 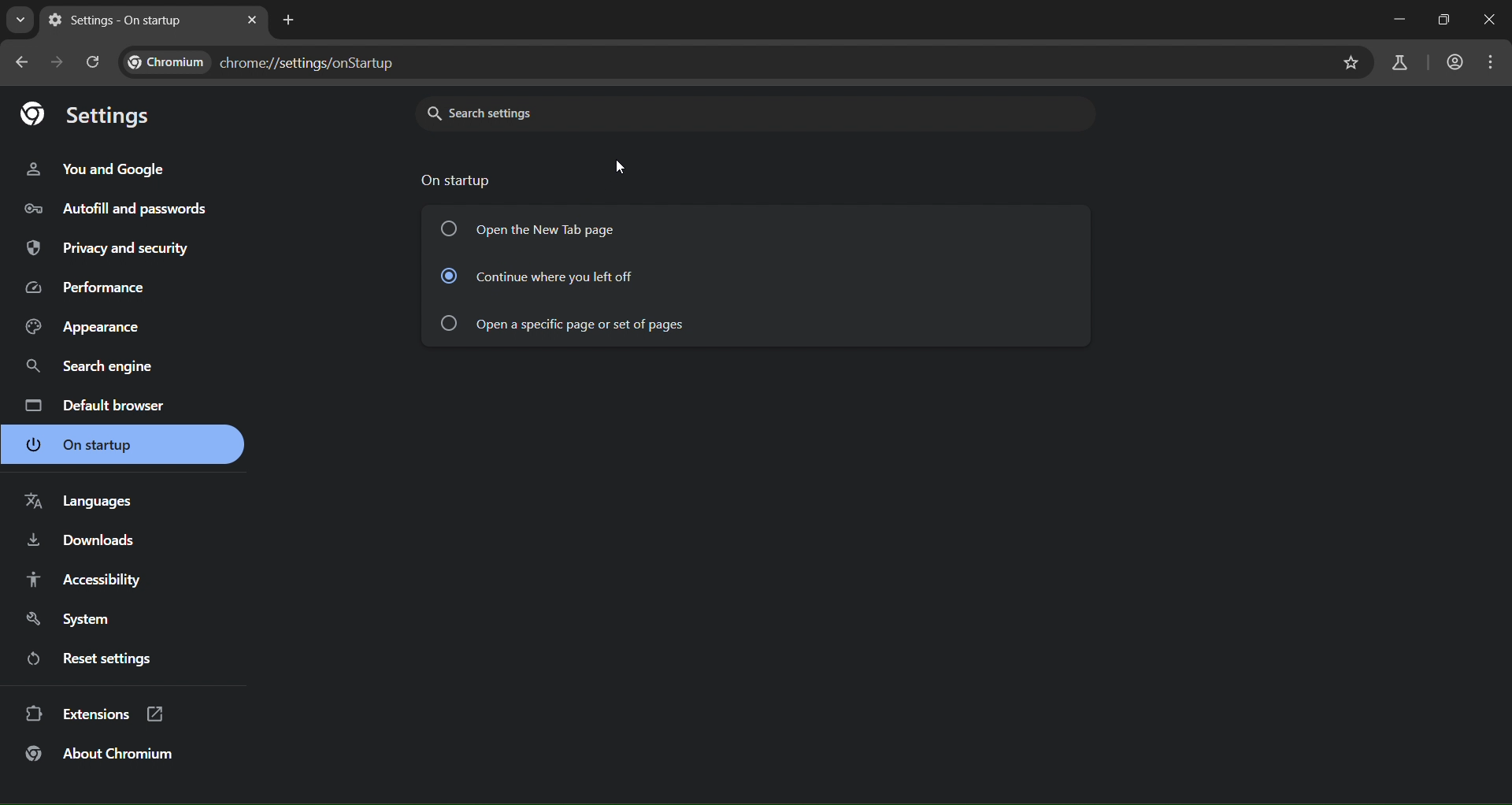 What do you see at coordinates (1487, 61) in the screenshot?
I see `menu` at bounding box center [1487, 61].